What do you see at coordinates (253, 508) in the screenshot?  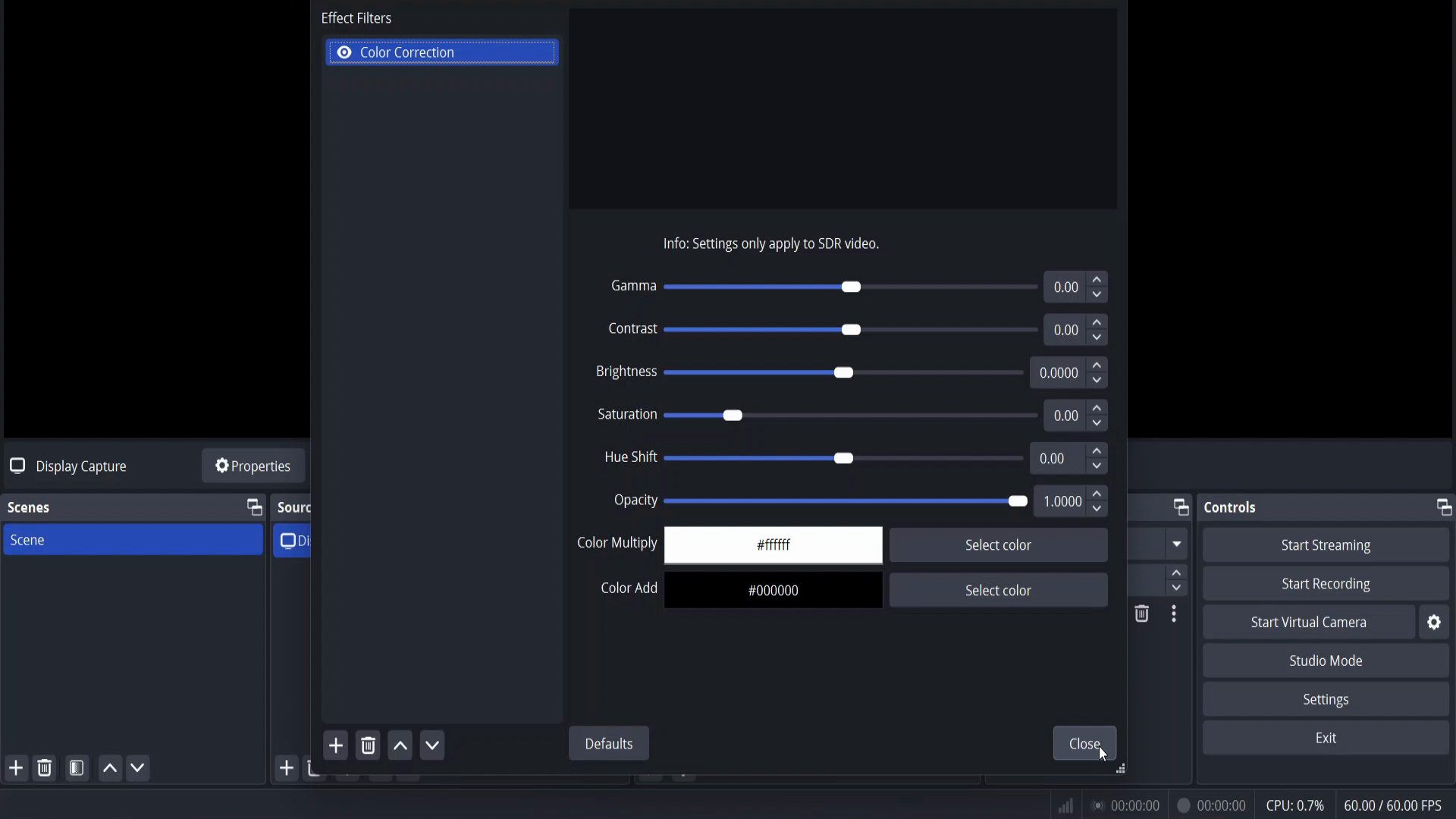 I see `change tab layout` at bounding box center [253, 508].